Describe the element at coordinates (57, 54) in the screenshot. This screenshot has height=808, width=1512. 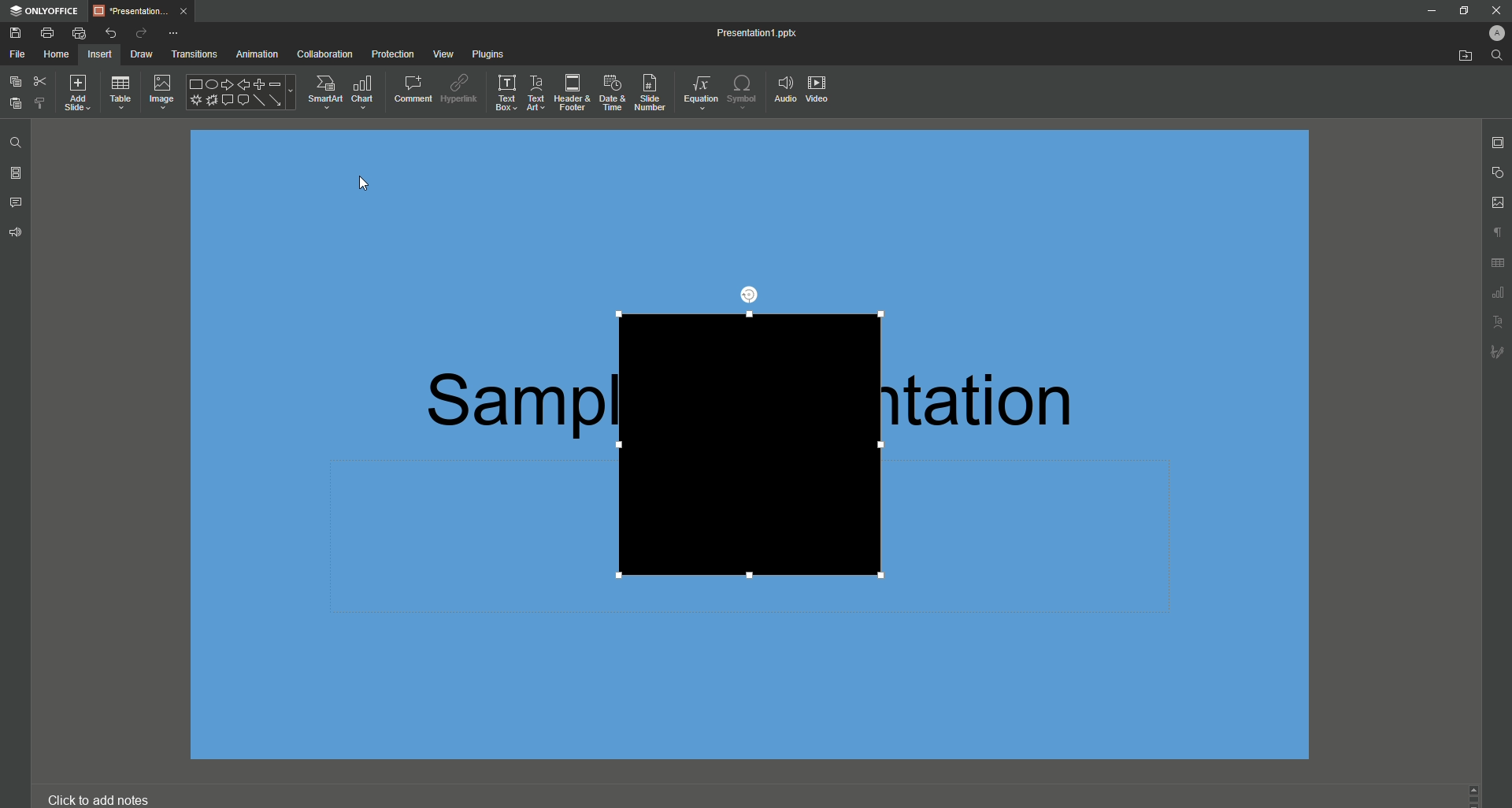
I see `Home` at that location.